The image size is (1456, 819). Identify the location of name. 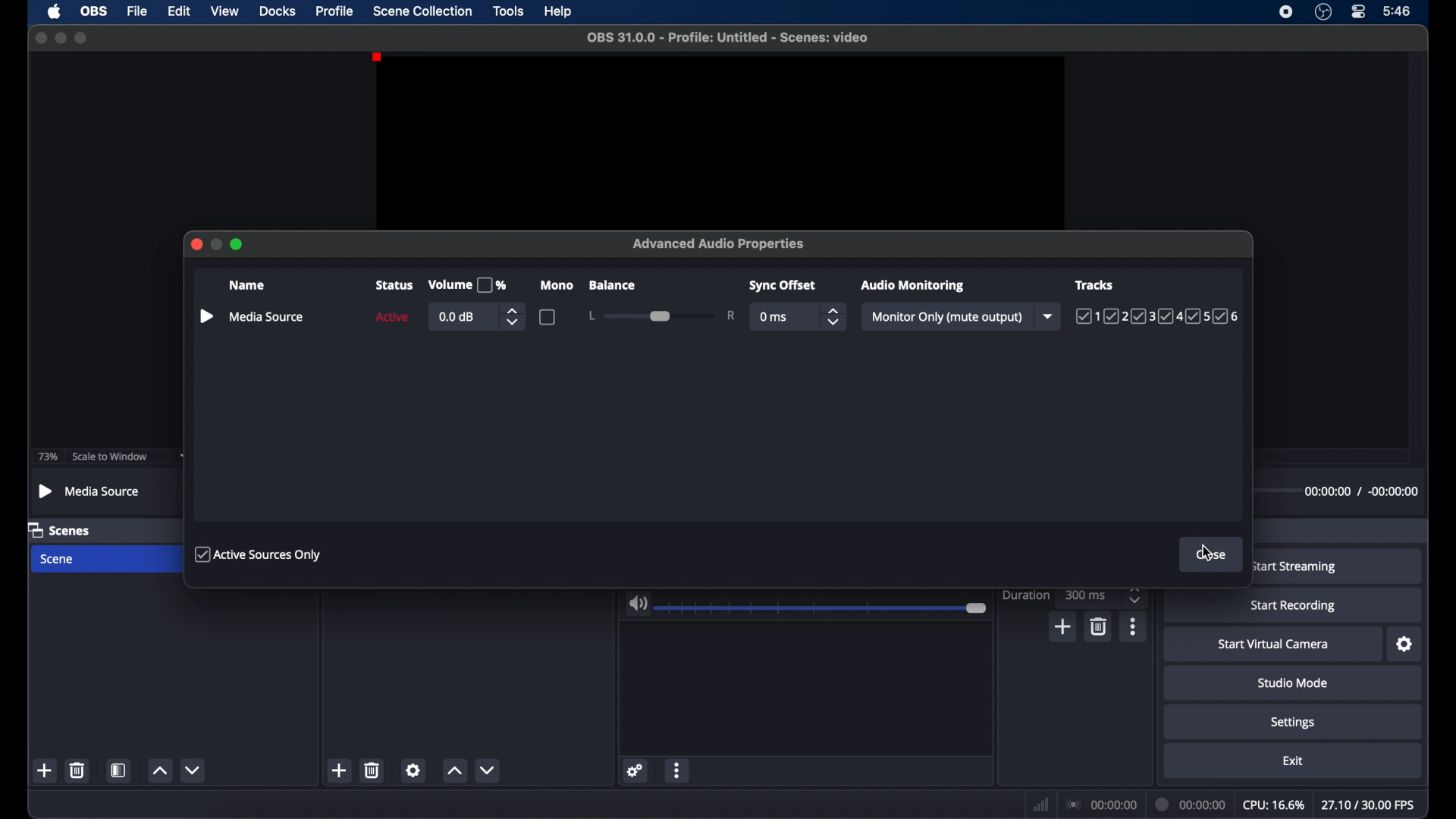
(249, 286).